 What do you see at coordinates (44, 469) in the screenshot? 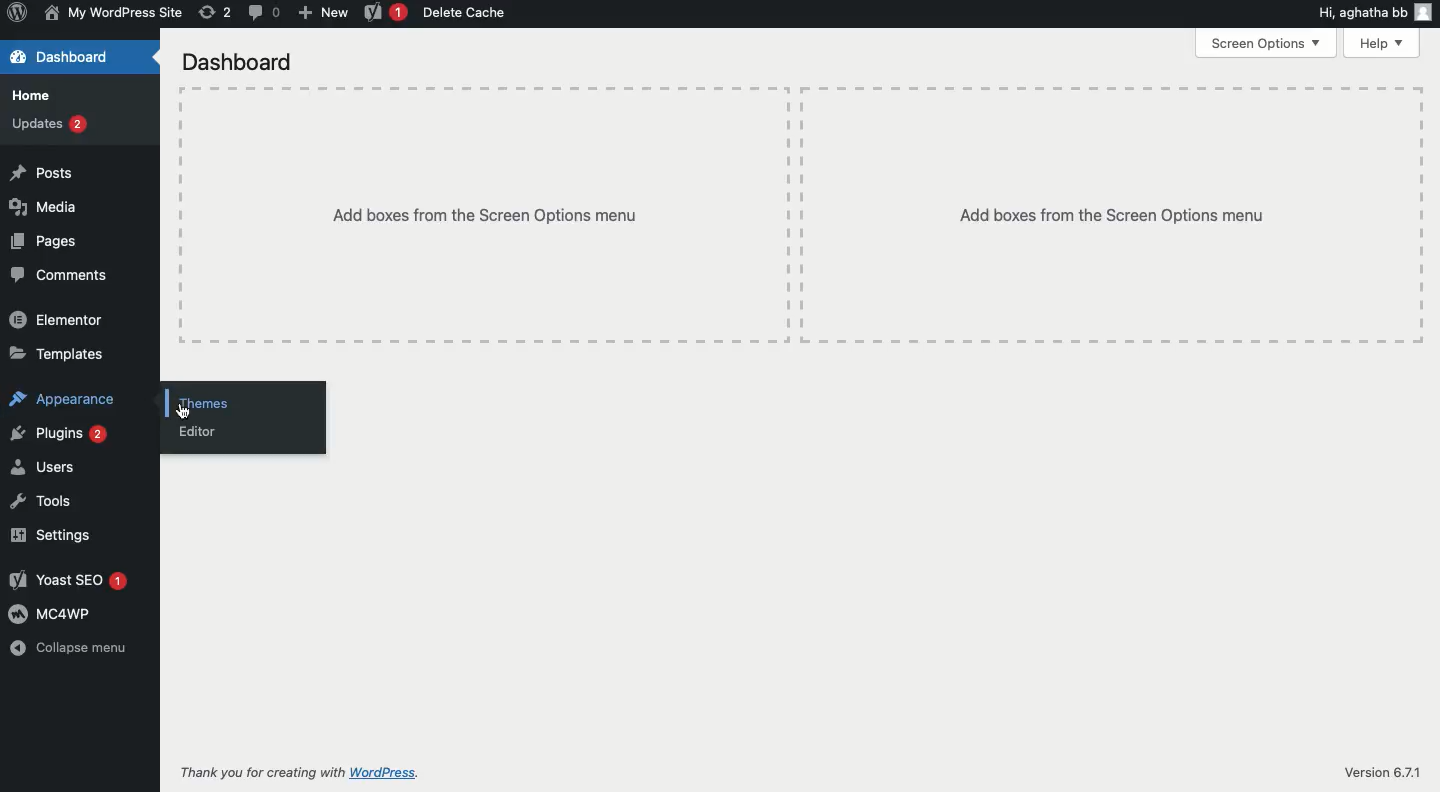
I see `Users` at bounding box center [44, 469].